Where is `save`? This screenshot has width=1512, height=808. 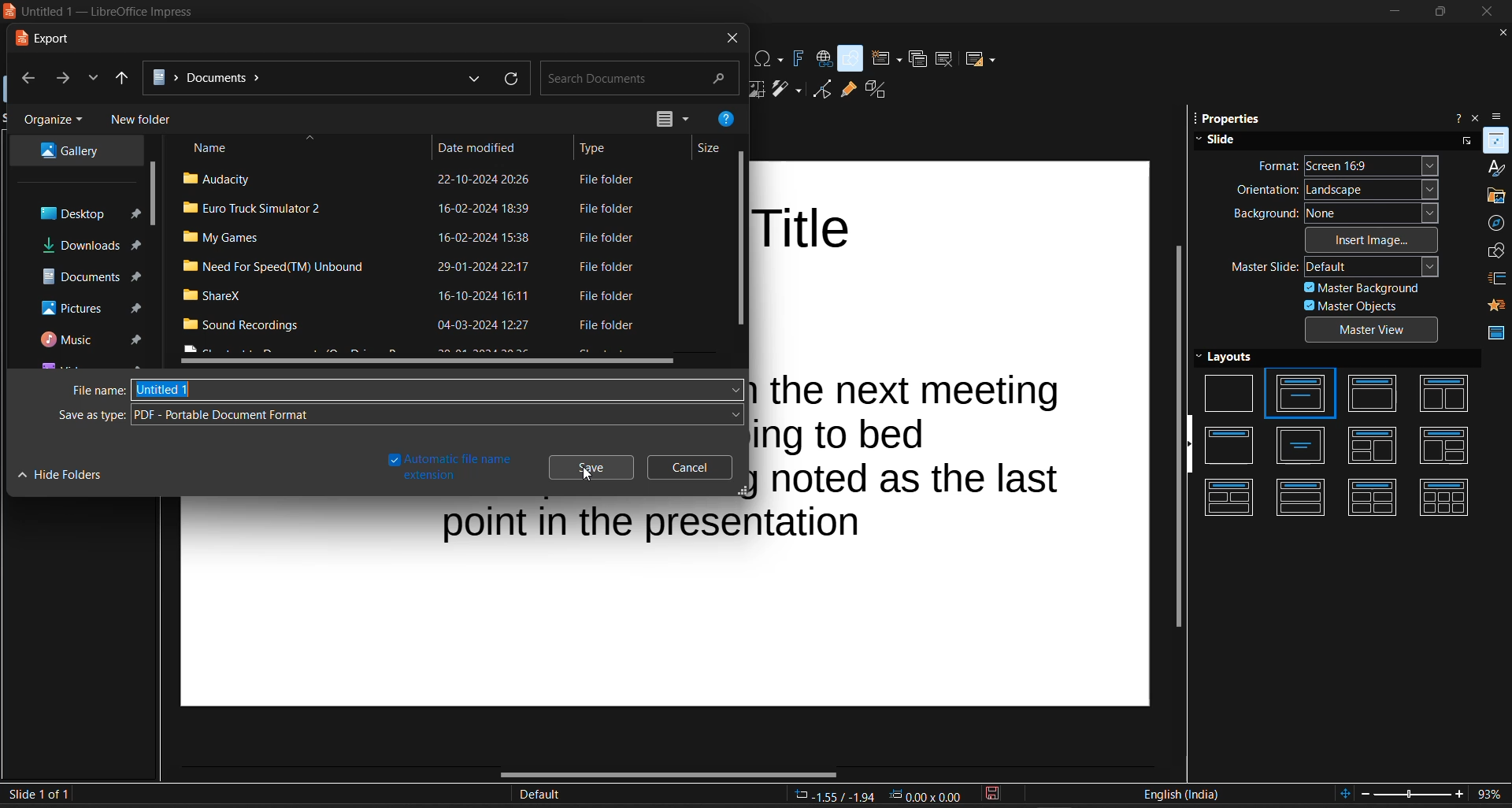 save is located at coordinates (587, 466).